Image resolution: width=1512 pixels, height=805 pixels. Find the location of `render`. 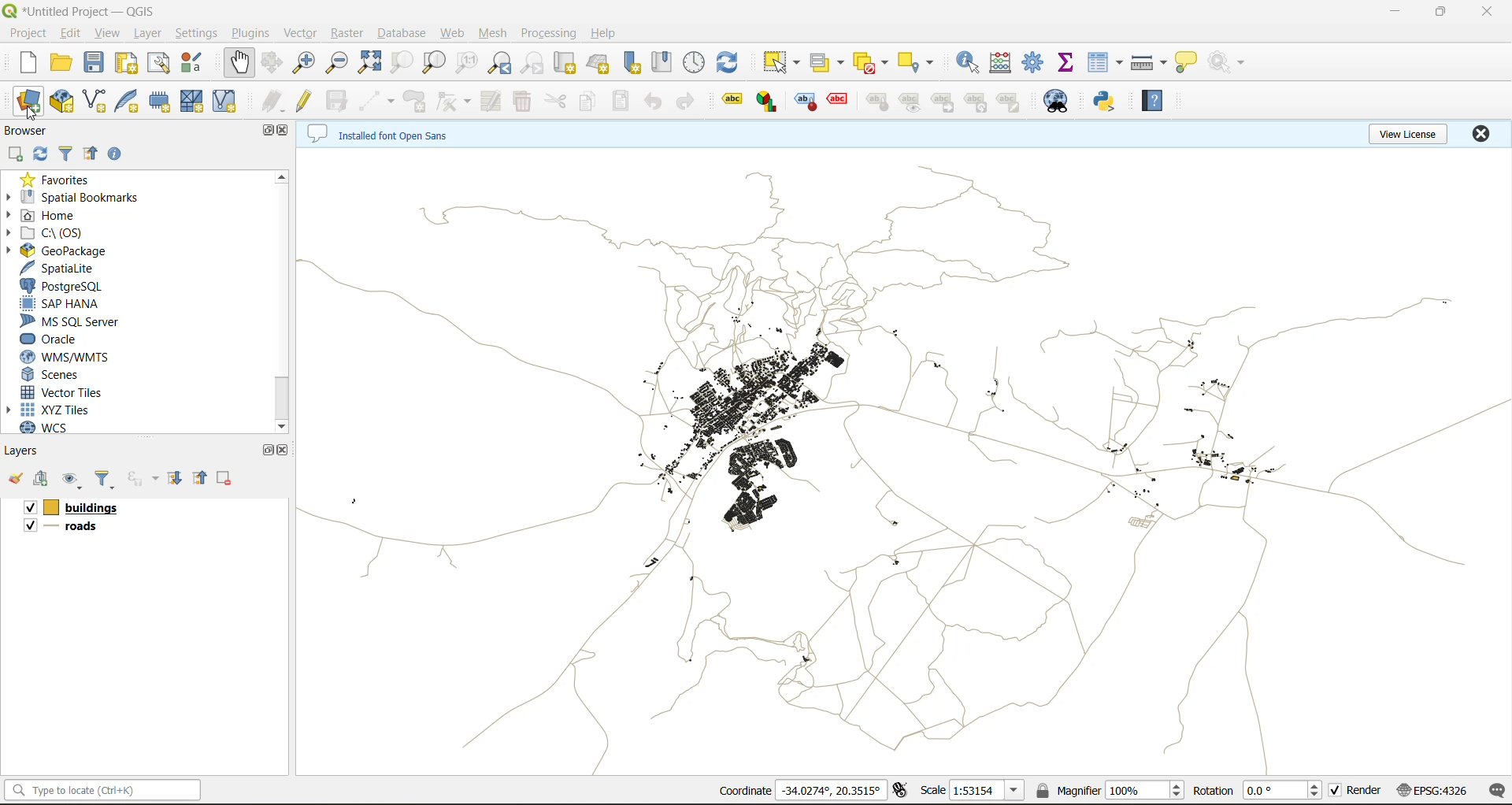

render is located at coordinates (1366, 790).